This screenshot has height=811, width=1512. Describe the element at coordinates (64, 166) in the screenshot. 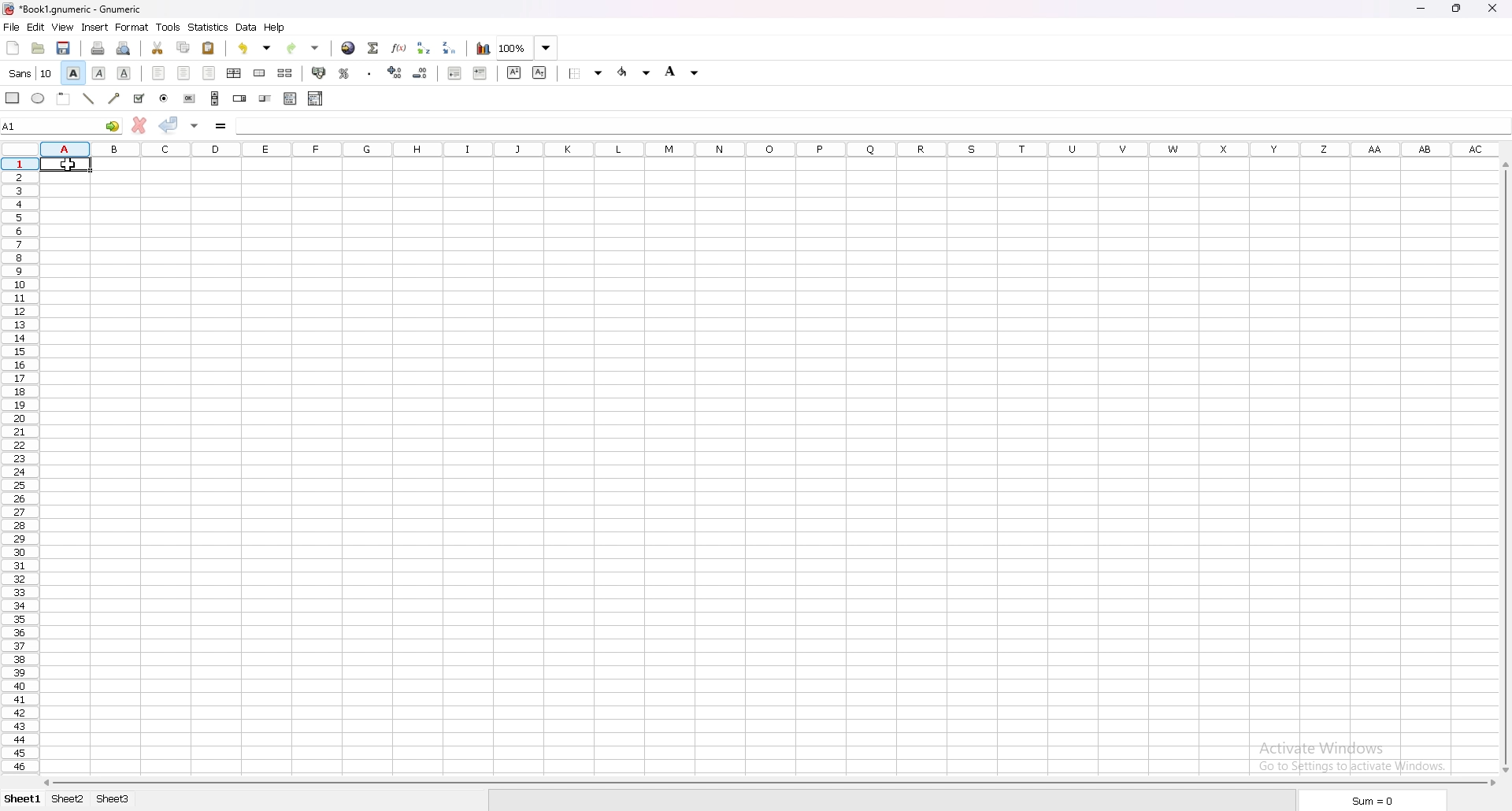

I see `cursor` at that location.